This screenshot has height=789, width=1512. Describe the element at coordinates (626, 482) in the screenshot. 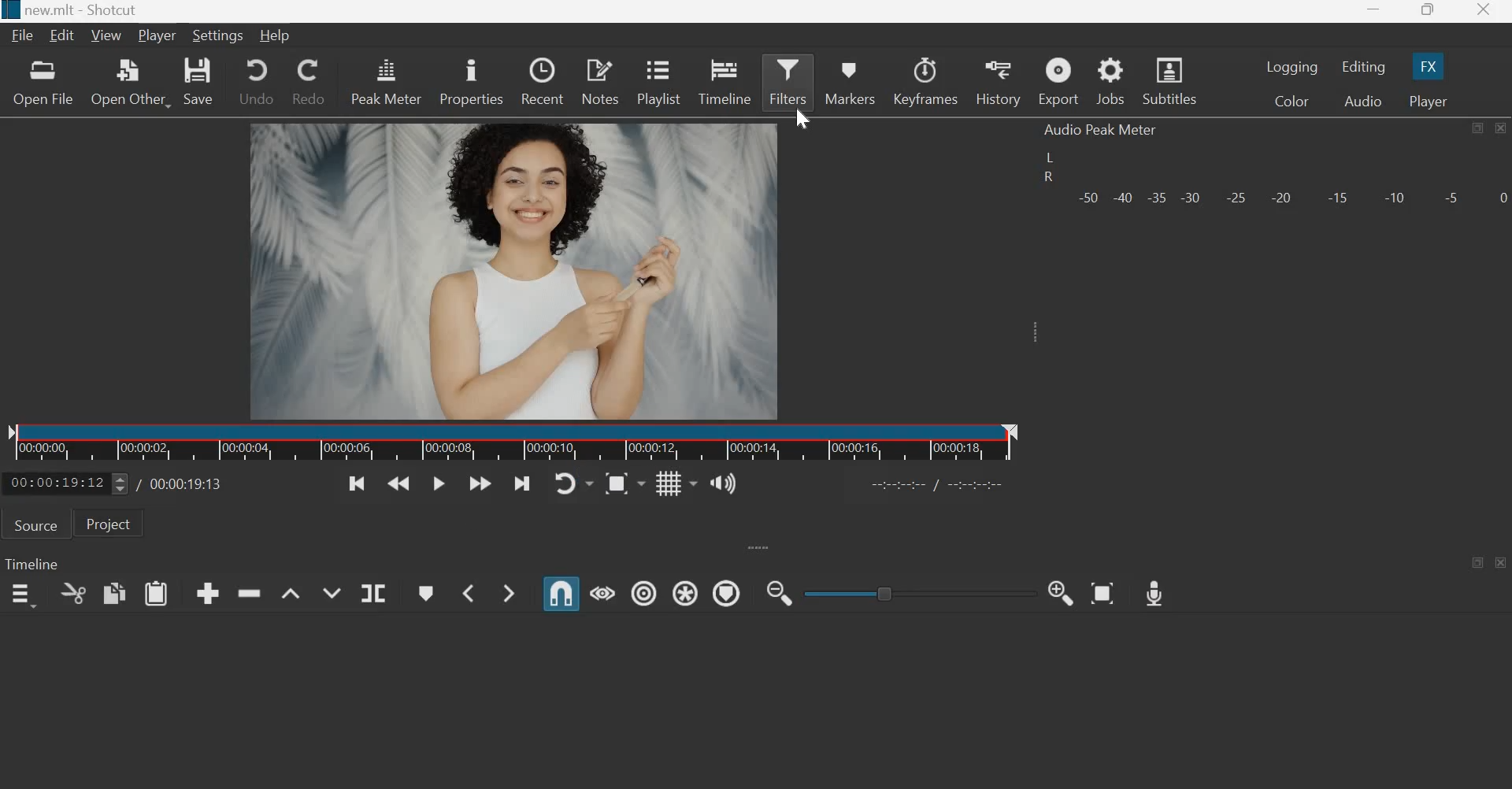

I see `Toggle zoom` at that location.